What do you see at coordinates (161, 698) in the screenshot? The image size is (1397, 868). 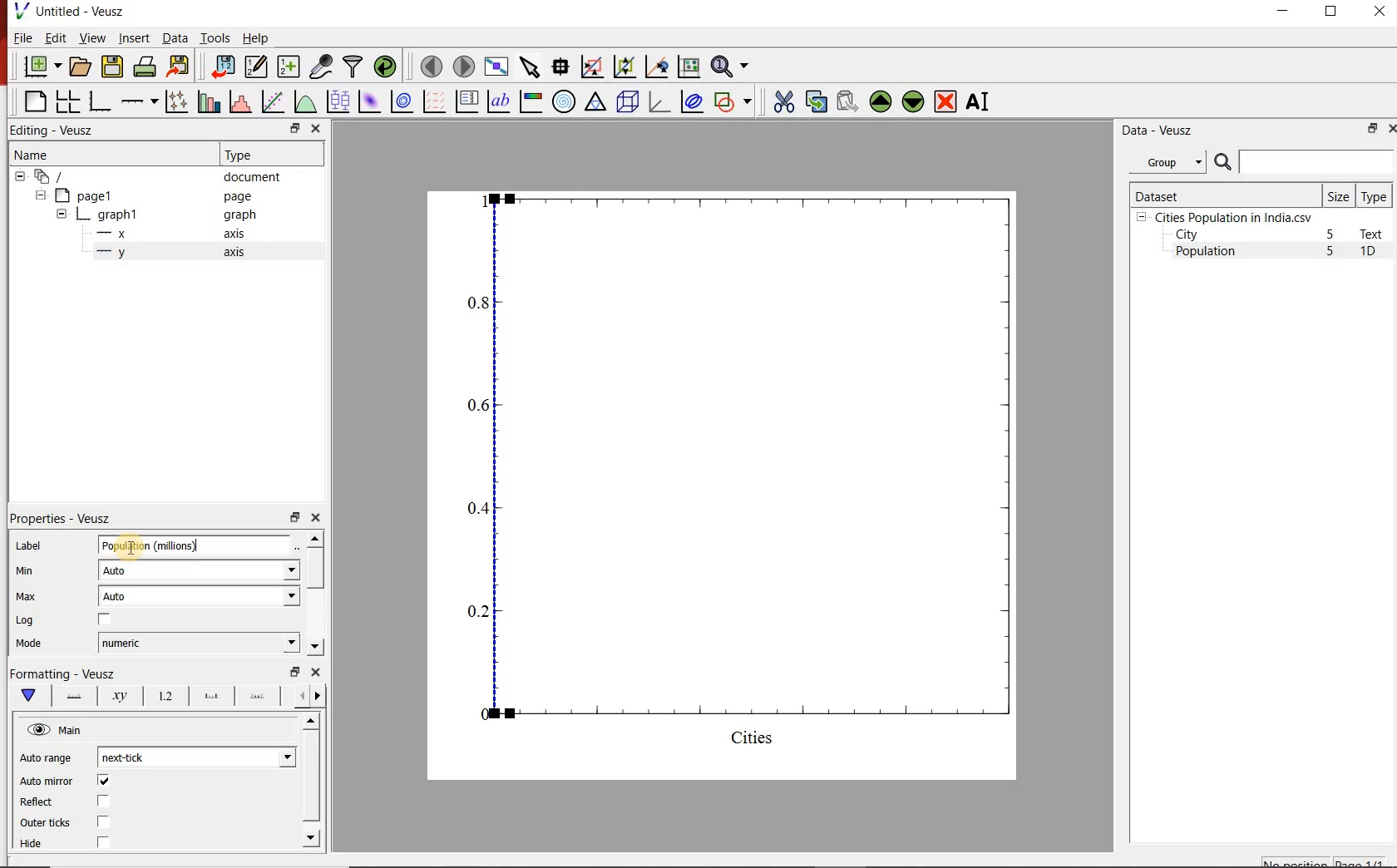 I see `Tick labels` at bounding box center [161, 698].